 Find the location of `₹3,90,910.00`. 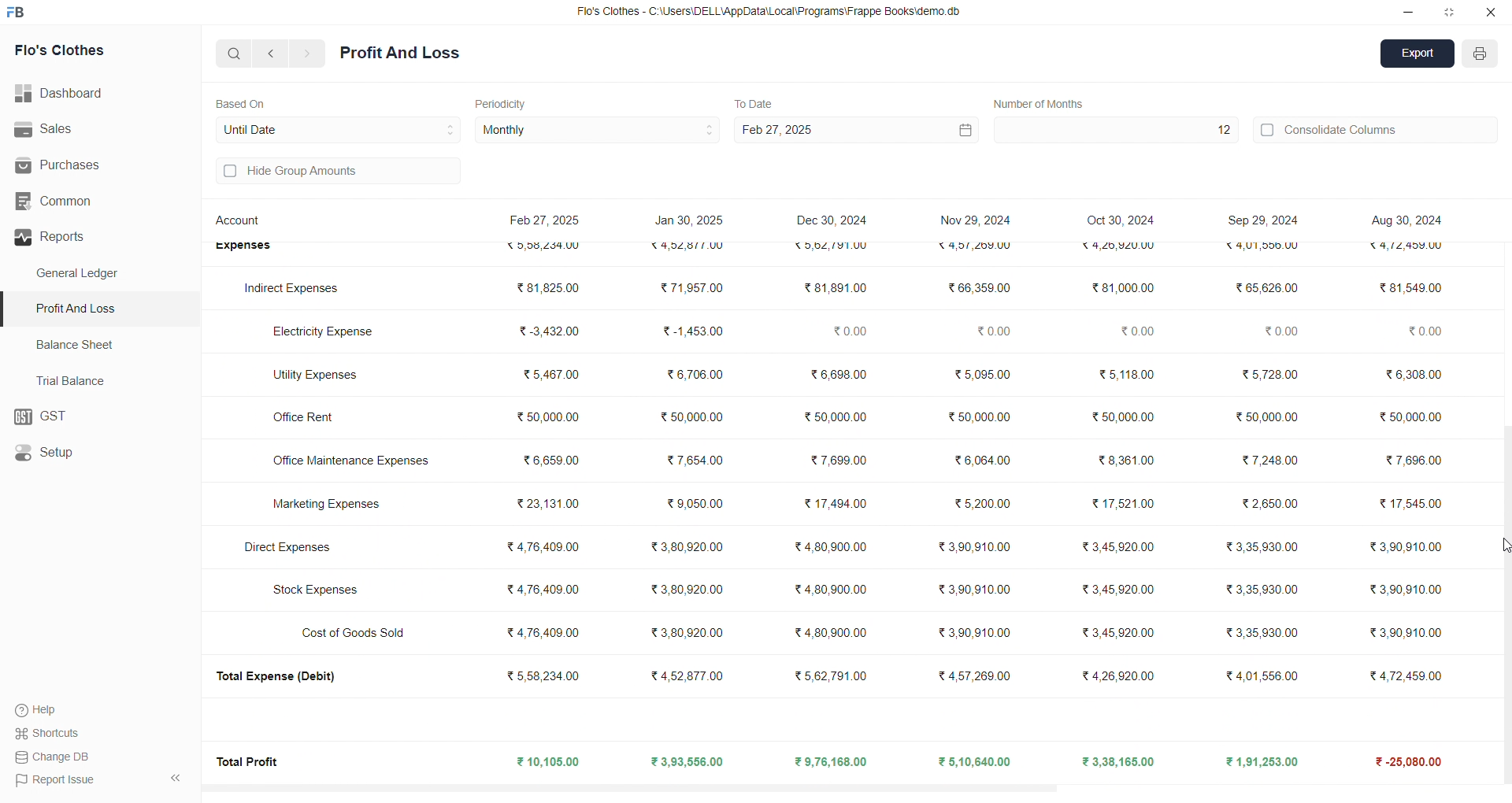

₹3,90,910.00 is located at coordinates (978, 546).